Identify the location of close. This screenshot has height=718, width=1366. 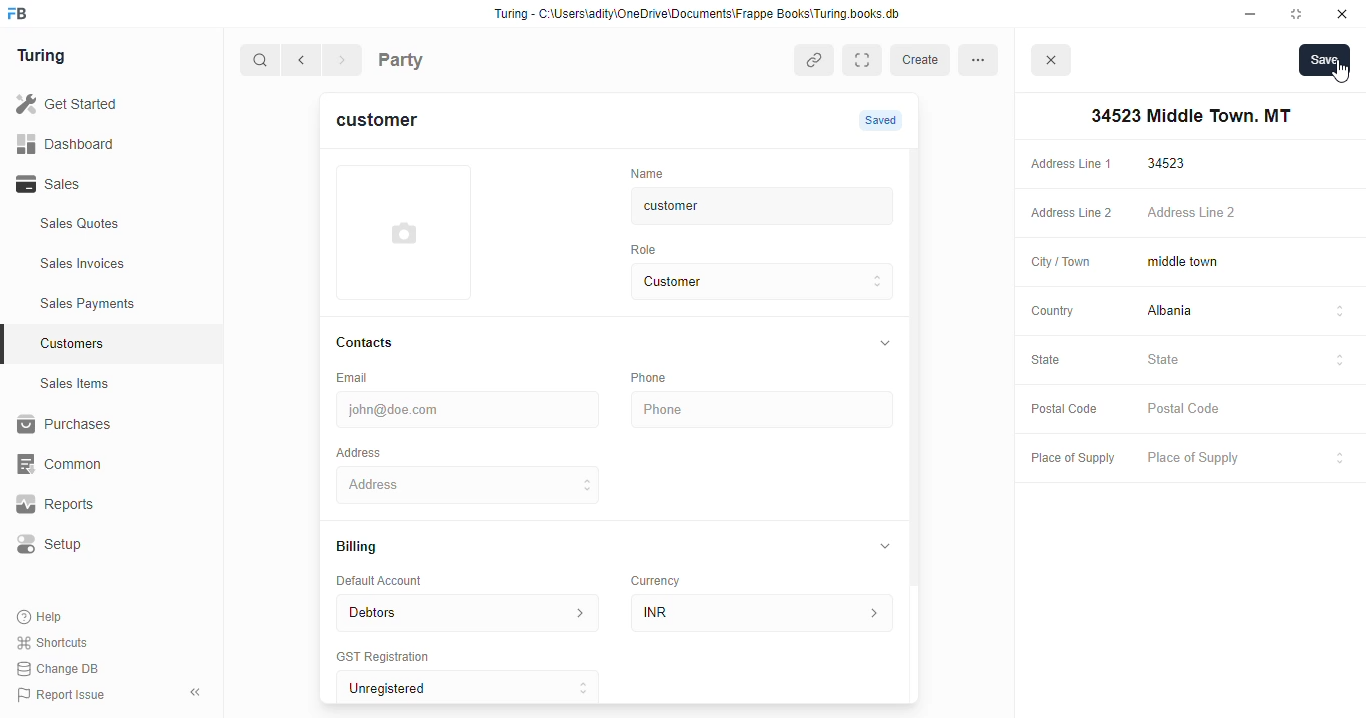
(1054, 63).